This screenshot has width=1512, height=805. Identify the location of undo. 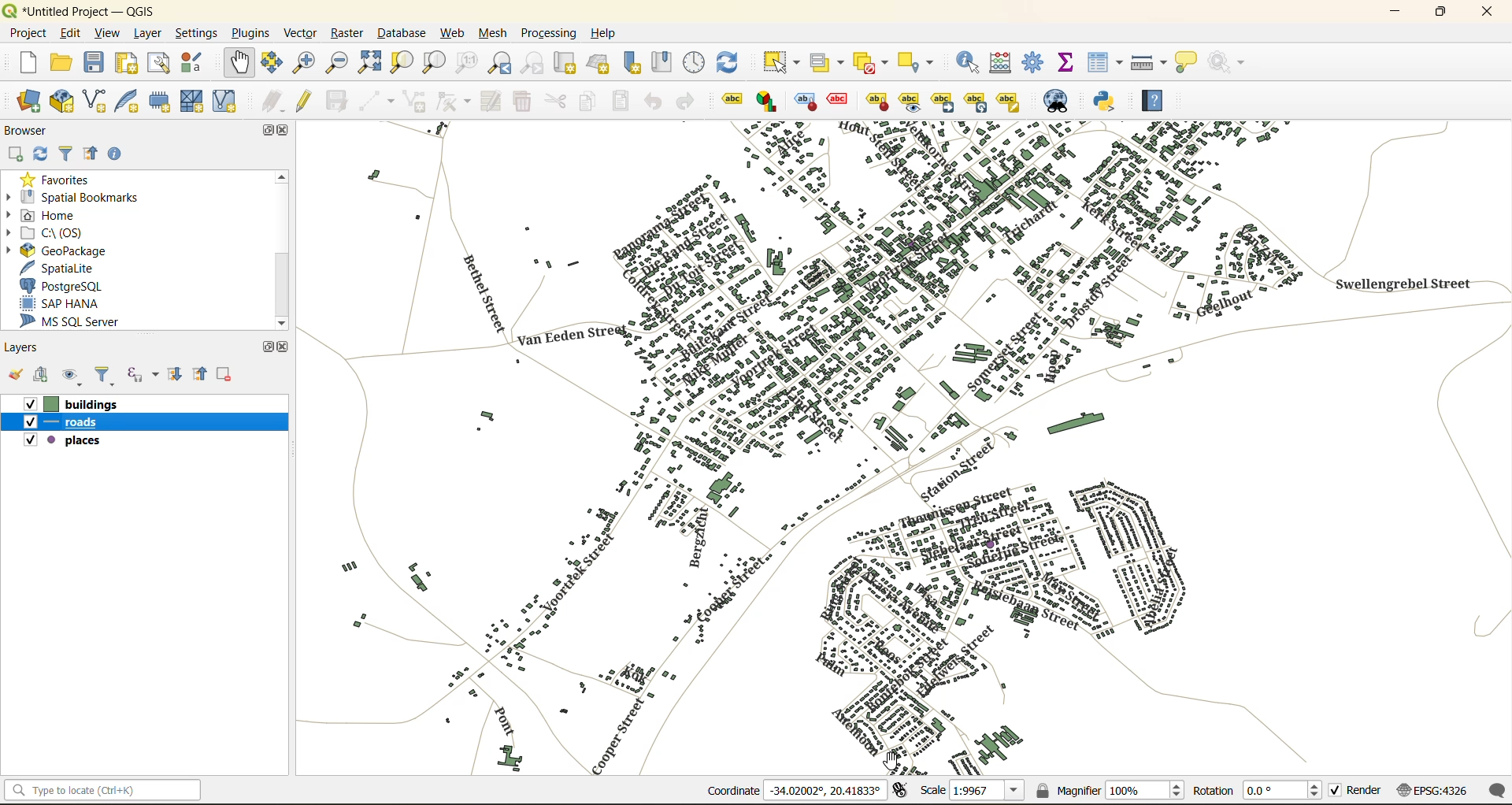
(652, 102).